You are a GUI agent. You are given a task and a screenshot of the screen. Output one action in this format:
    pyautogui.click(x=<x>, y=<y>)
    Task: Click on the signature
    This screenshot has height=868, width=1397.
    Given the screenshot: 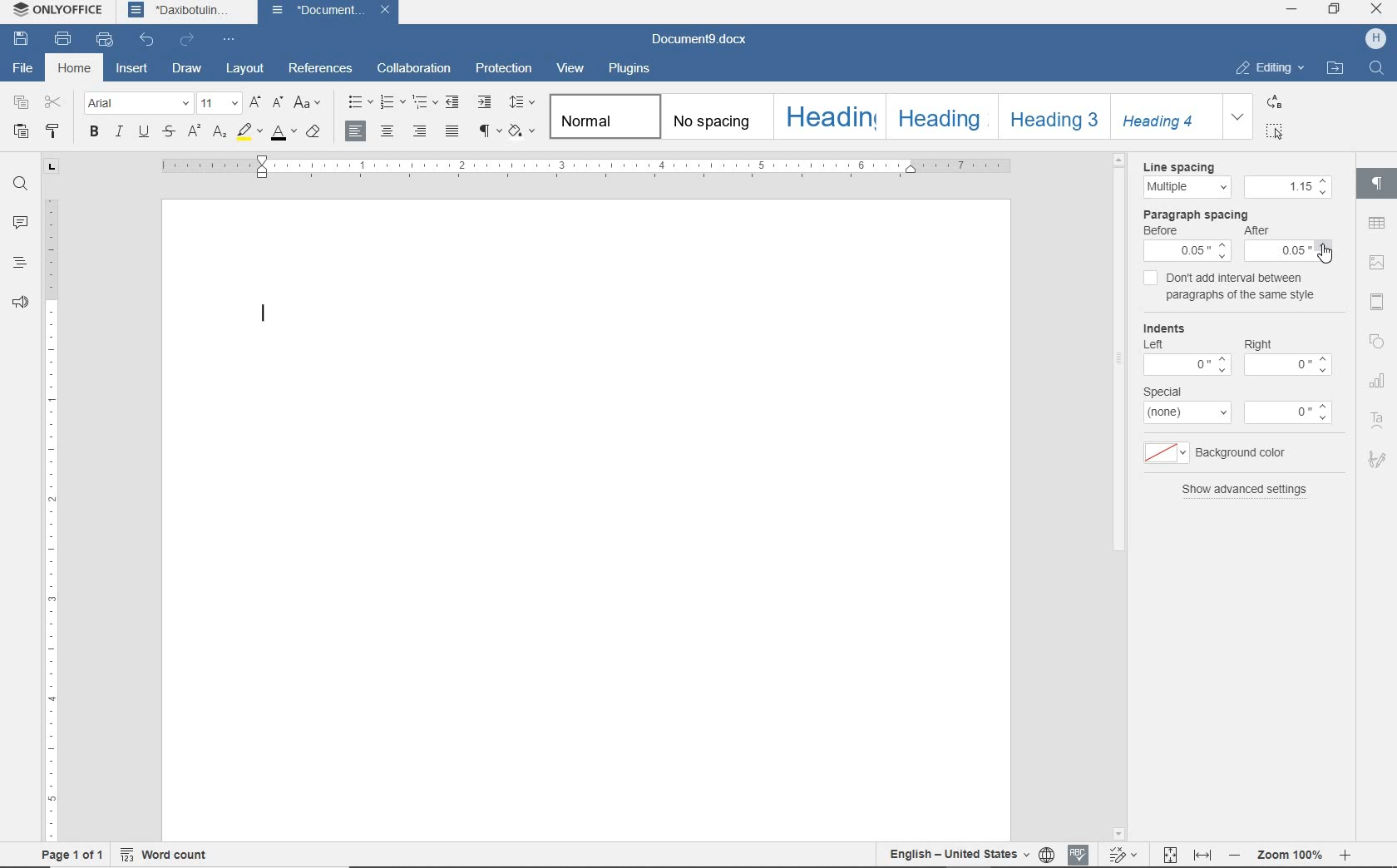 What is the action you would take?
    pyautogui.click(x=1377, y=462)
    